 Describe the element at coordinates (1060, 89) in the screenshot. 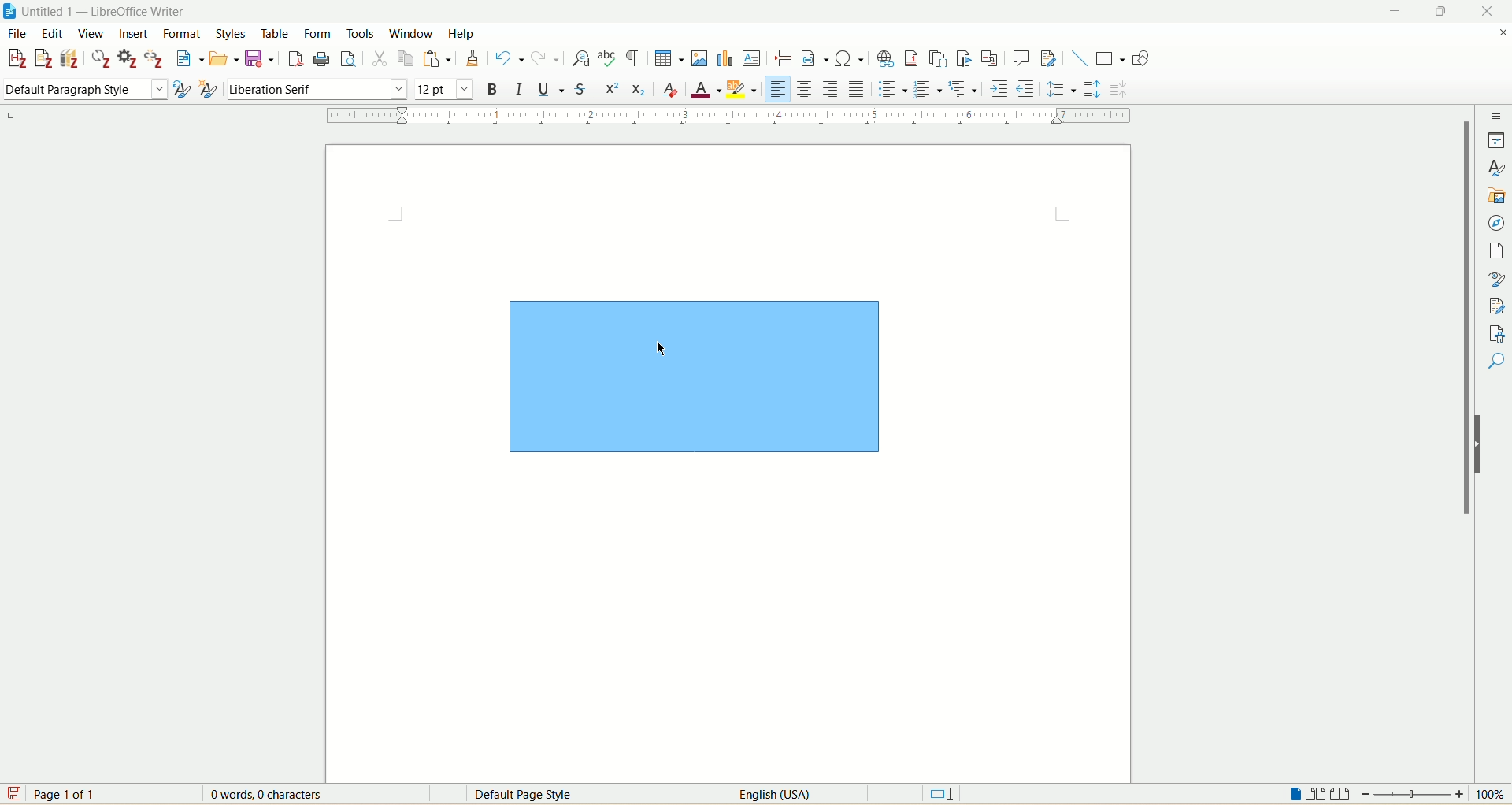

I see `set line spacing` at that location.